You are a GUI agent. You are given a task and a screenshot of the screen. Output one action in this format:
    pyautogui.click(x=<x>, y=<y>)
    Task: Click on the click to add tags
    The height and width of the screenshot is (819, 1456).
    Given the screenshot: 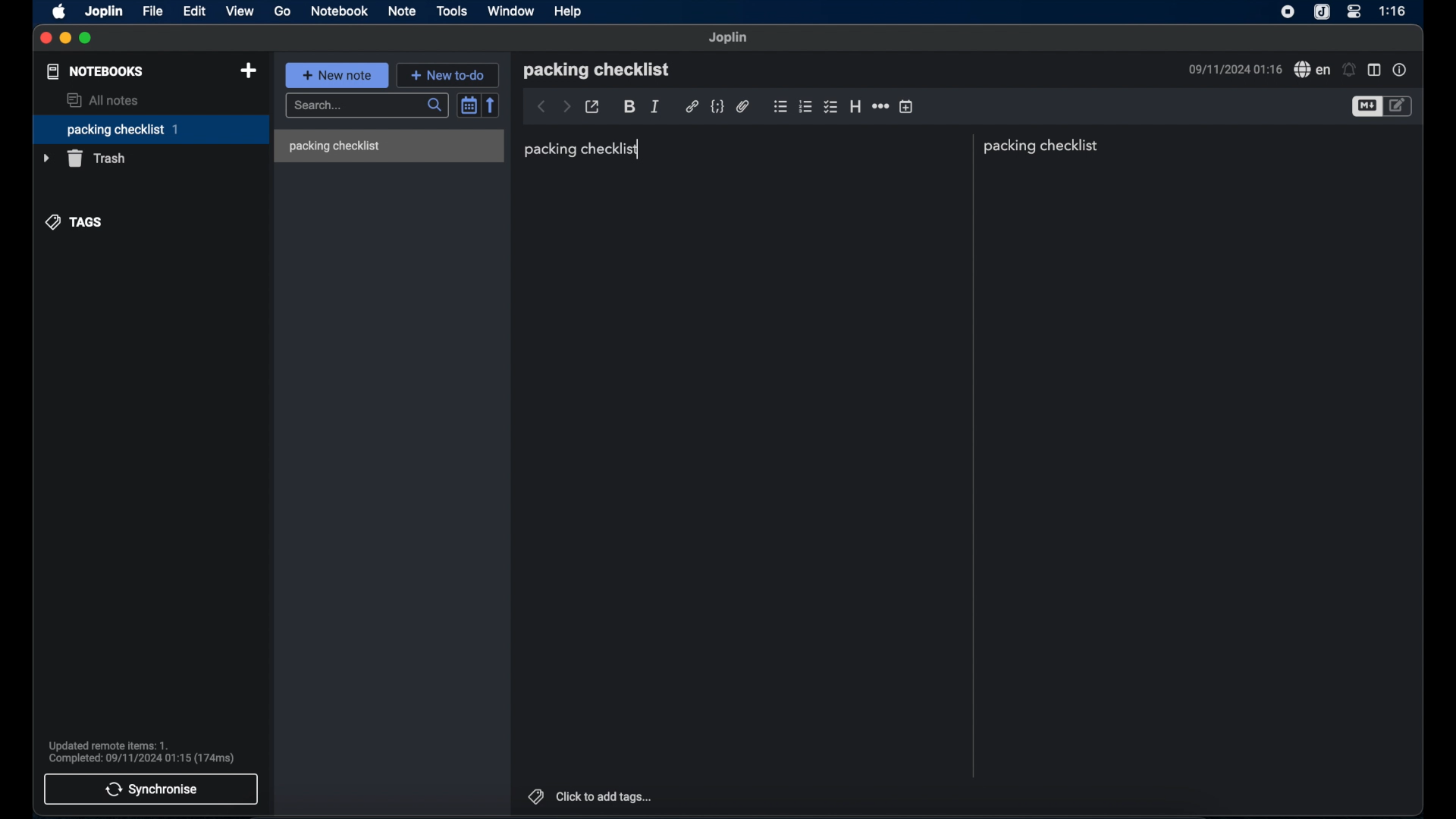 What is the action you would take?
    pyautogui.click(x=591, y=795)
    